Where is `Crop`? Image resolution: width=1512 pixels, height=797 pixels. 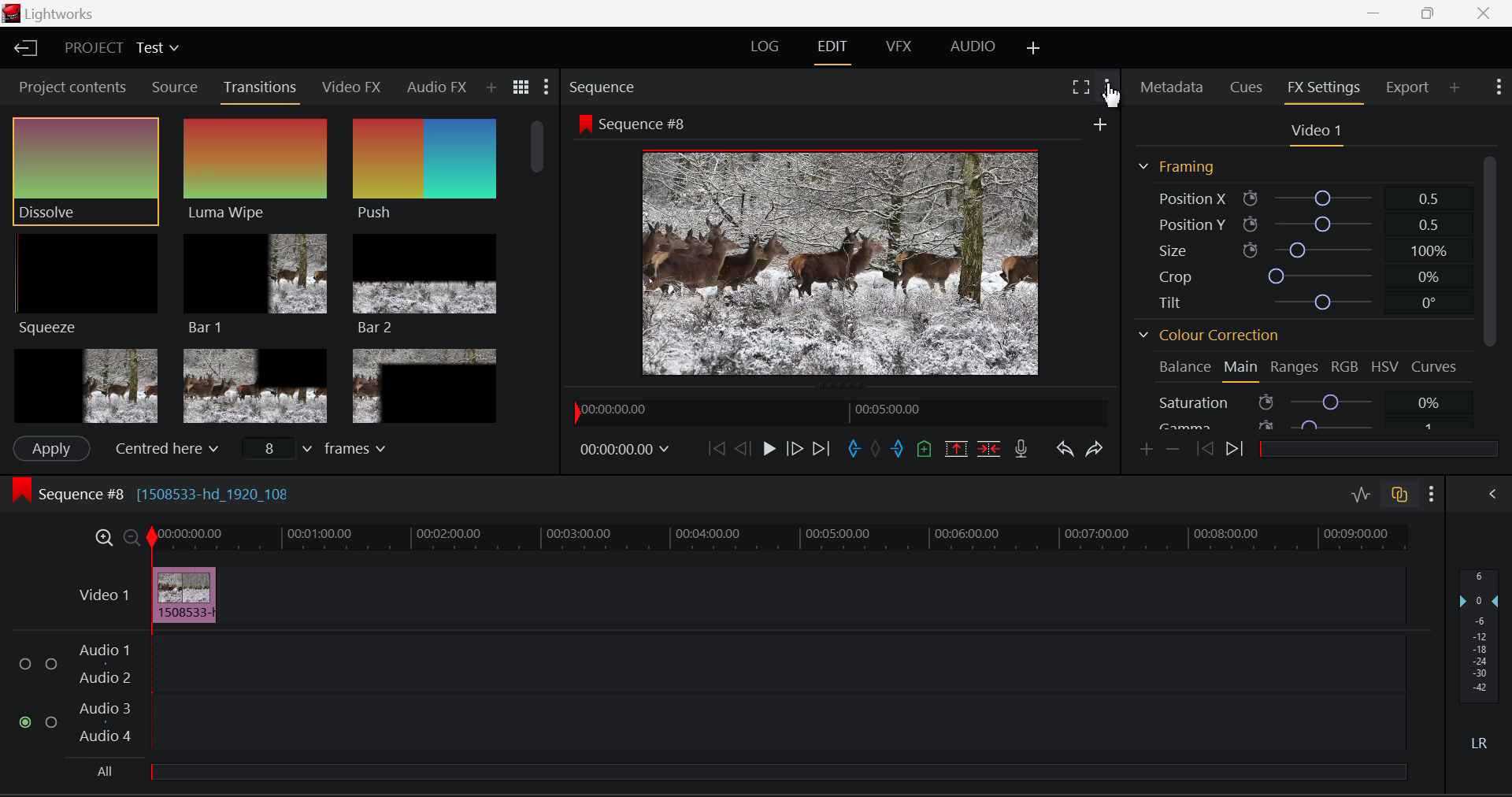
Crop is located at coordinates (1308, 273).